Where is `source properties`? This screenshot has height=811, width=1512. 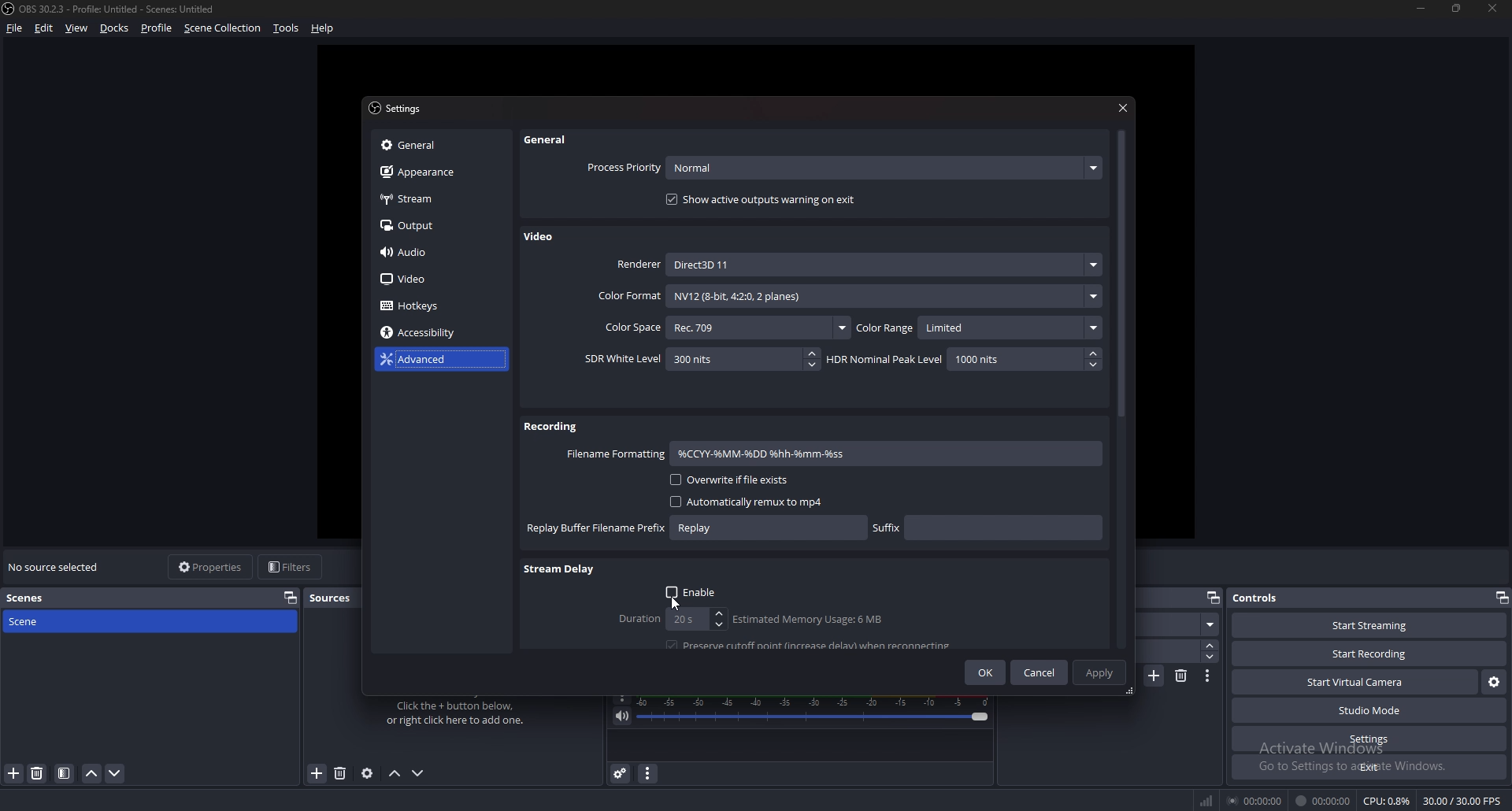 source properties is located at coordinates (366, 774).